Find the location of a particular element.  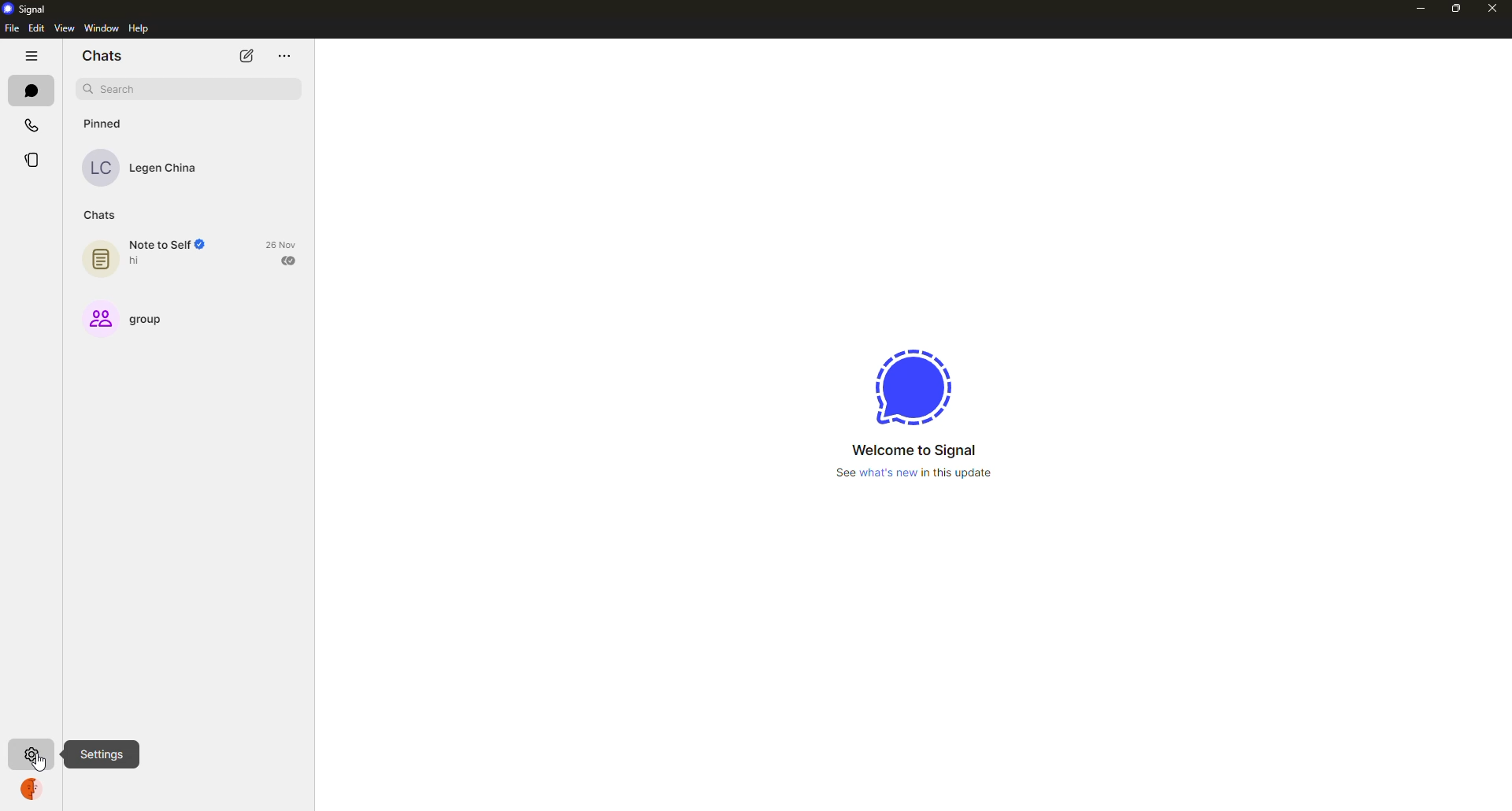

26 Nov is located at coordinates (284, 244).